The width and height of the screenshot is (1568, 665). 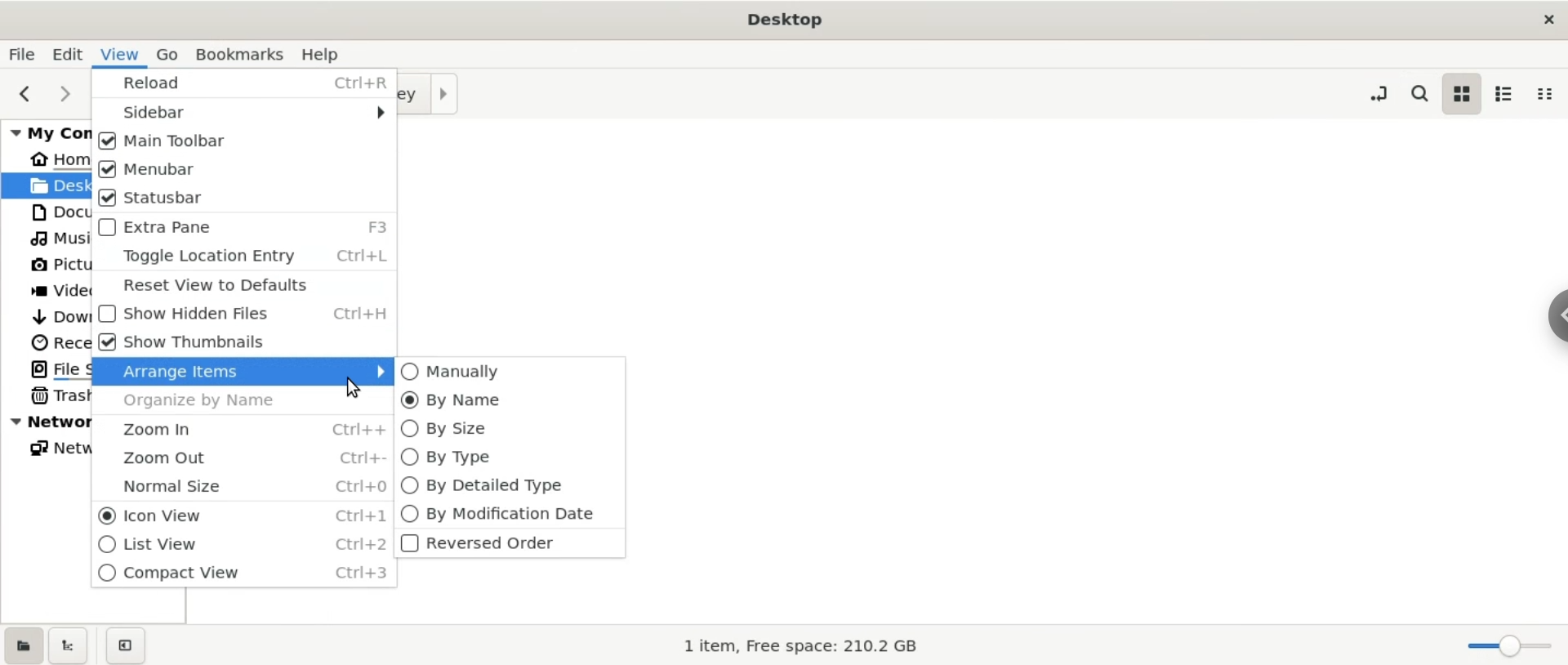 What do you see at coordinates (1461, 96) in the screenshot?
I see `icon view` at bounding box center [1461, 96].